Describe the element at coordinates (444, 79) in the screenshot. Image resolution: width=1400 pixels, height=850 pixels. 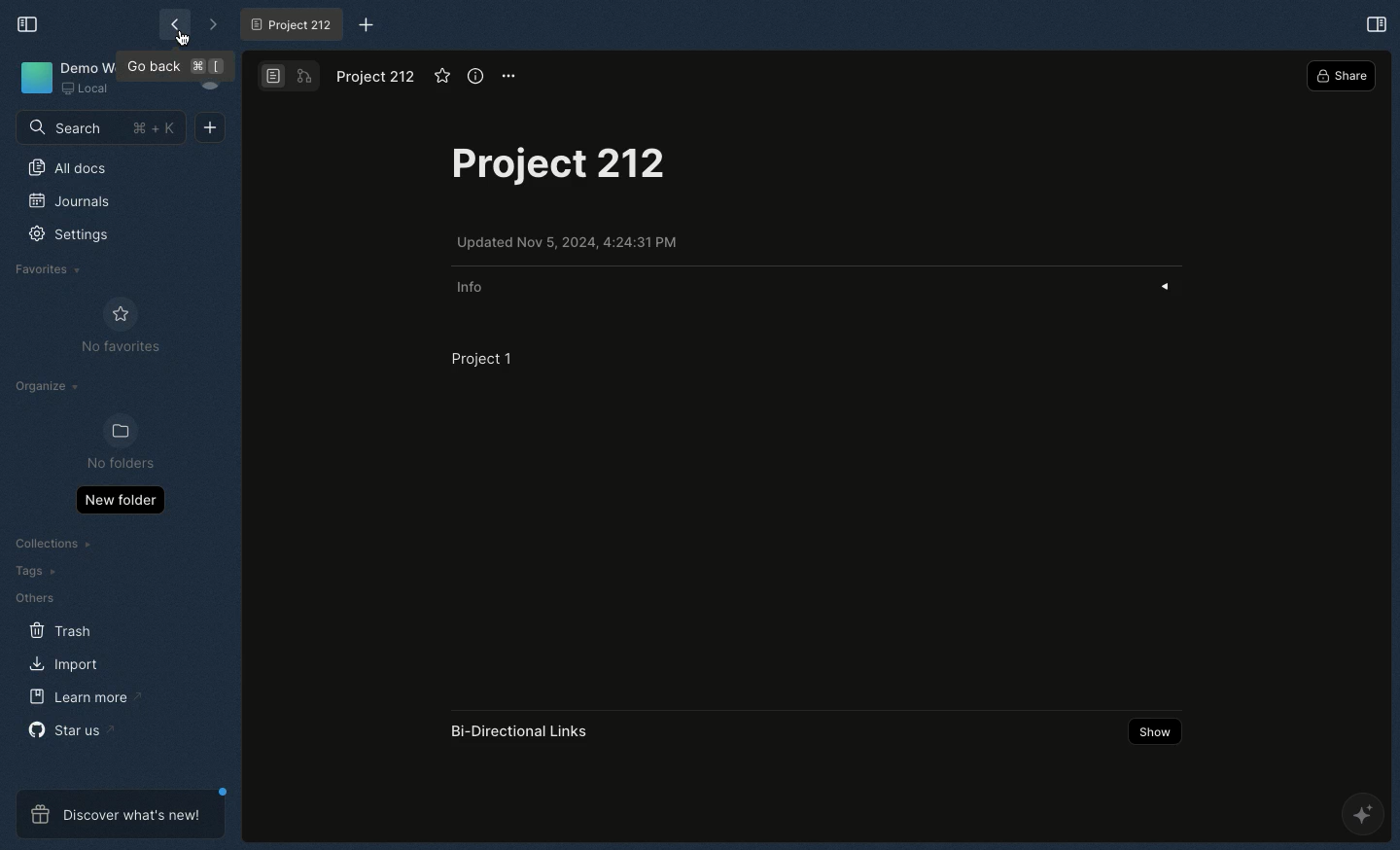
I see `Favourite` at that location.